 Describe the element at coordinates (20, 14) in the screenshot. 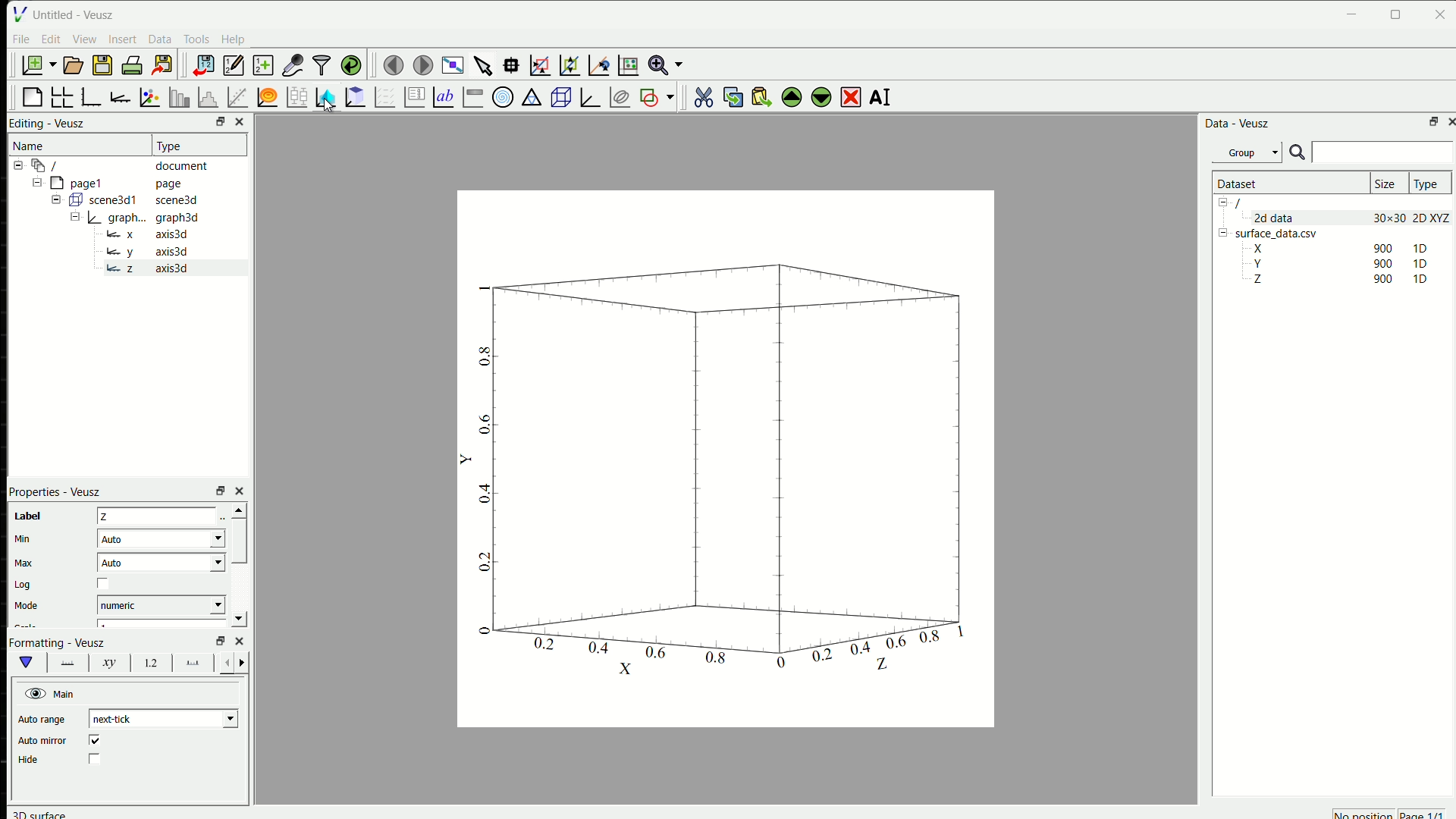

I see `logo` at that location.